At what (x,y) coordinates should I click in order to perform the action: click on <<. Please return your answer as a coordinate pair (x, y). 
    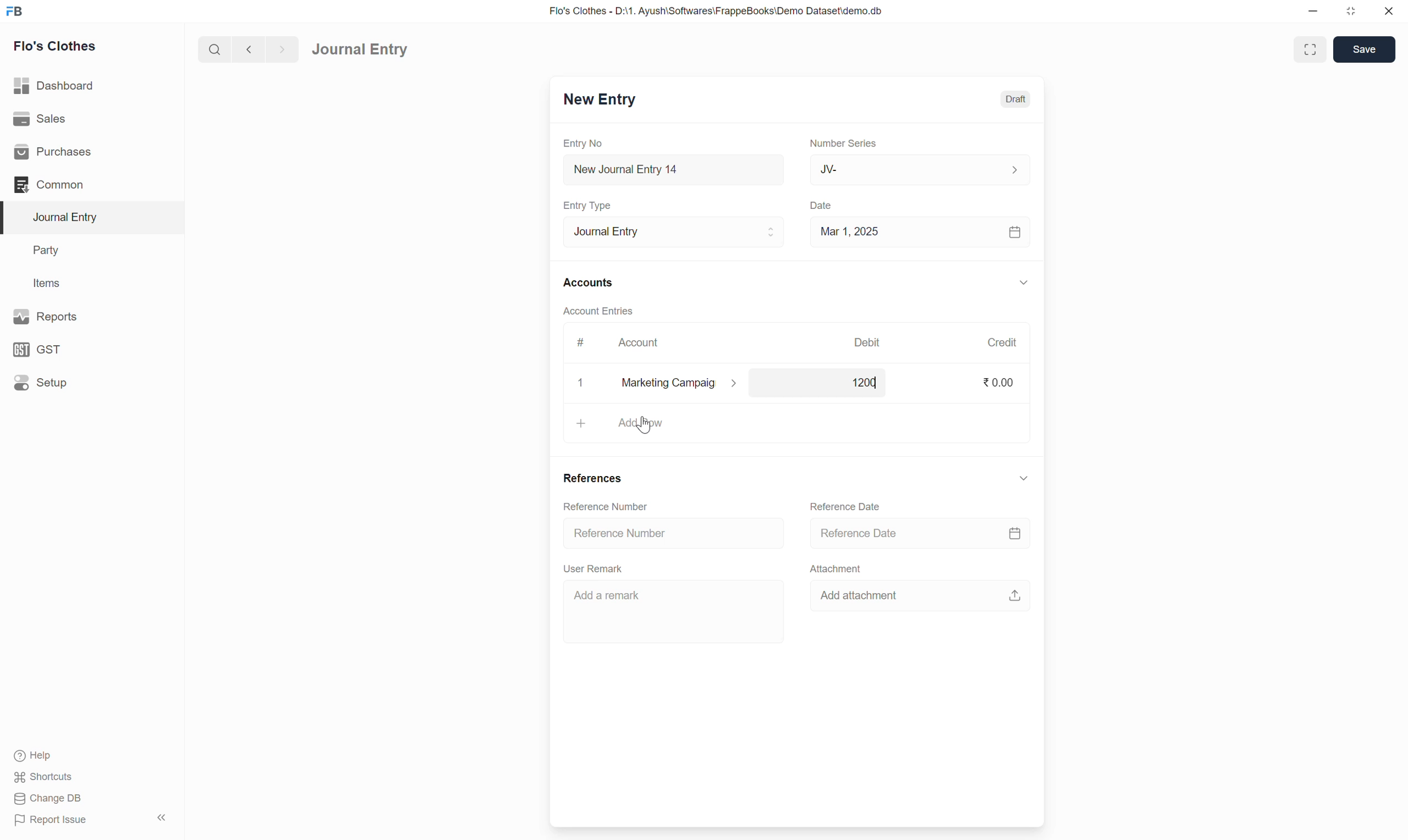
    Looking at the image, I should click on (161, 818).